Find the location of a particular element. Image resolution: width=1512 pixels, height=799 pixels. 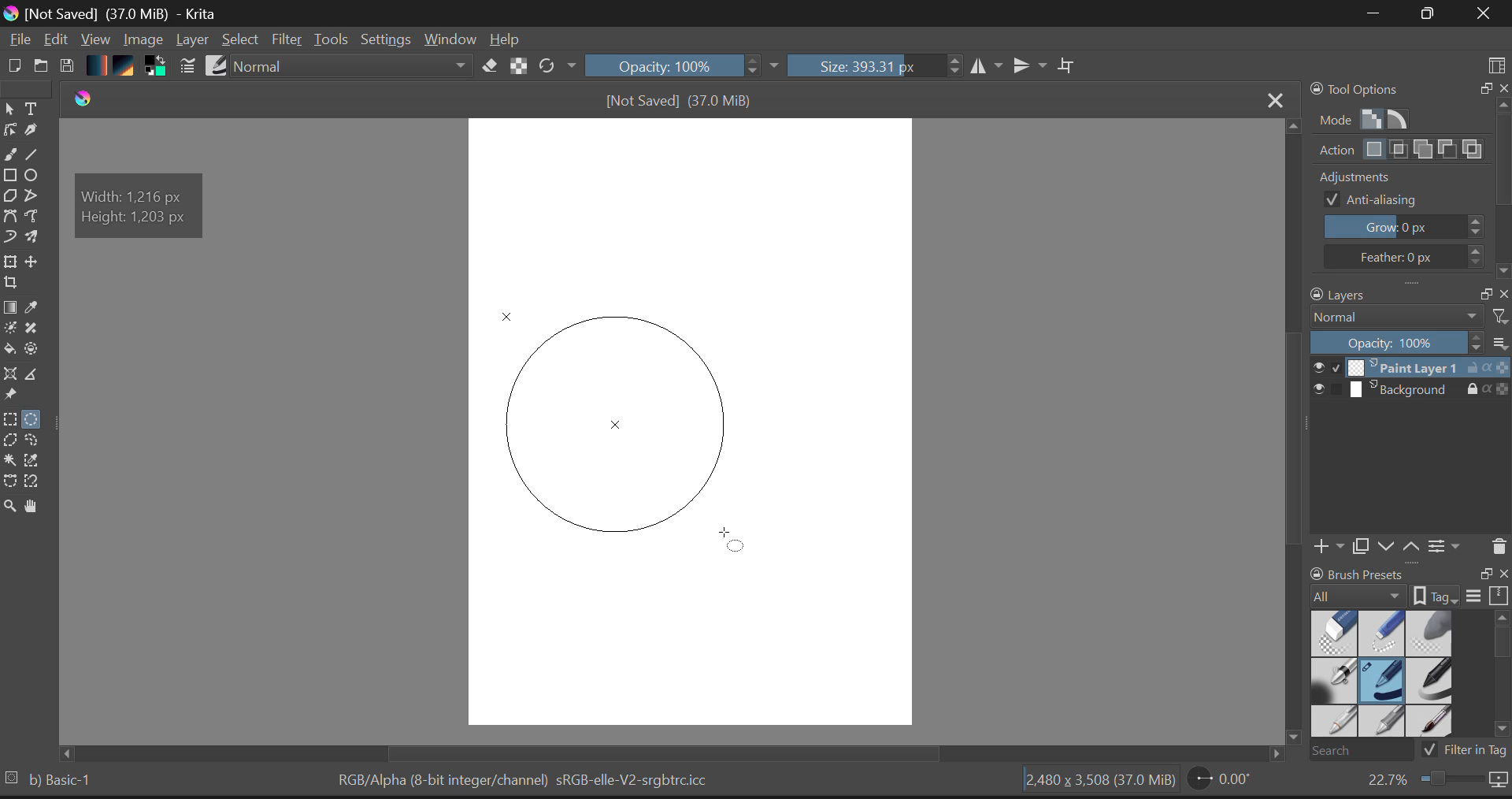

Gradient is located at coordinates (98, 66).